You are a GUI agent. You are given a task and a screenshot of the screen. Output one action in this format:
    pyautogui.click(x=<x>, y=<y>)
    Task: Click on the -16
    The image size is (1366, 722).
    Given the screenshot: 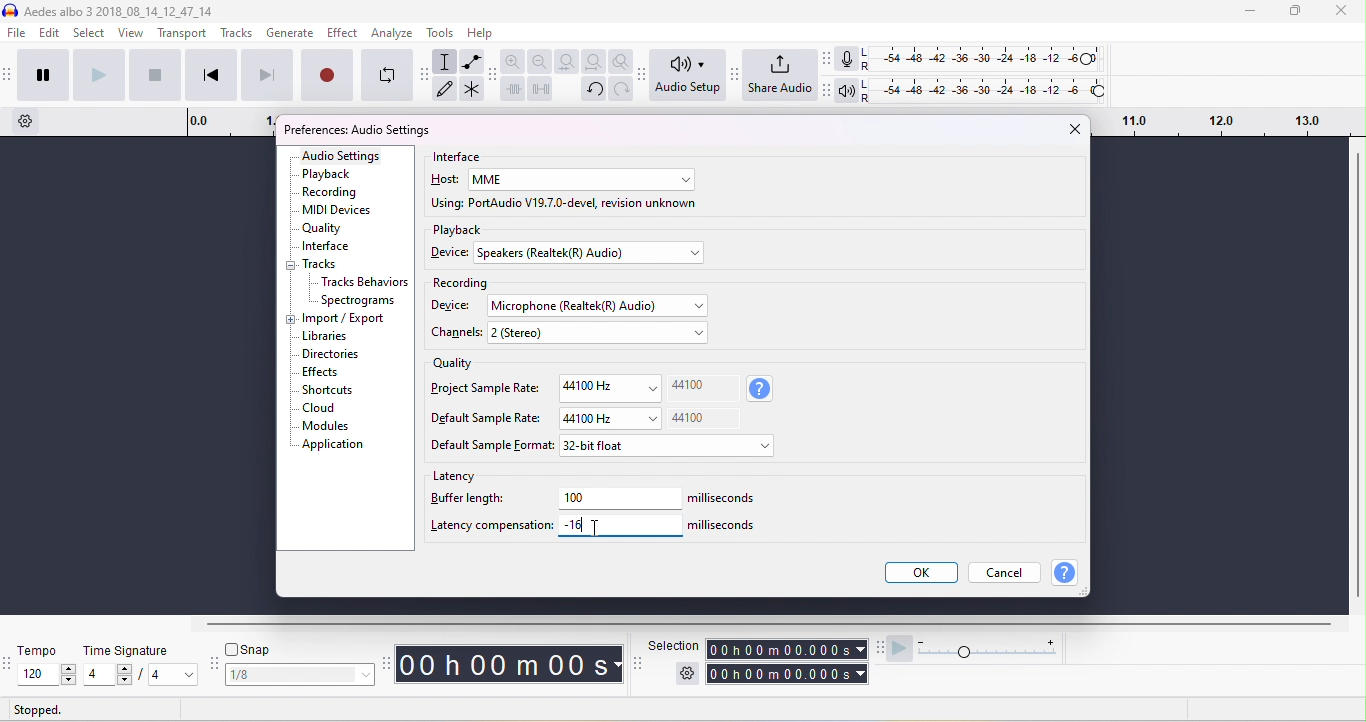 What is the action you would take?
    pyautogui.click(x=575, y=522)
    